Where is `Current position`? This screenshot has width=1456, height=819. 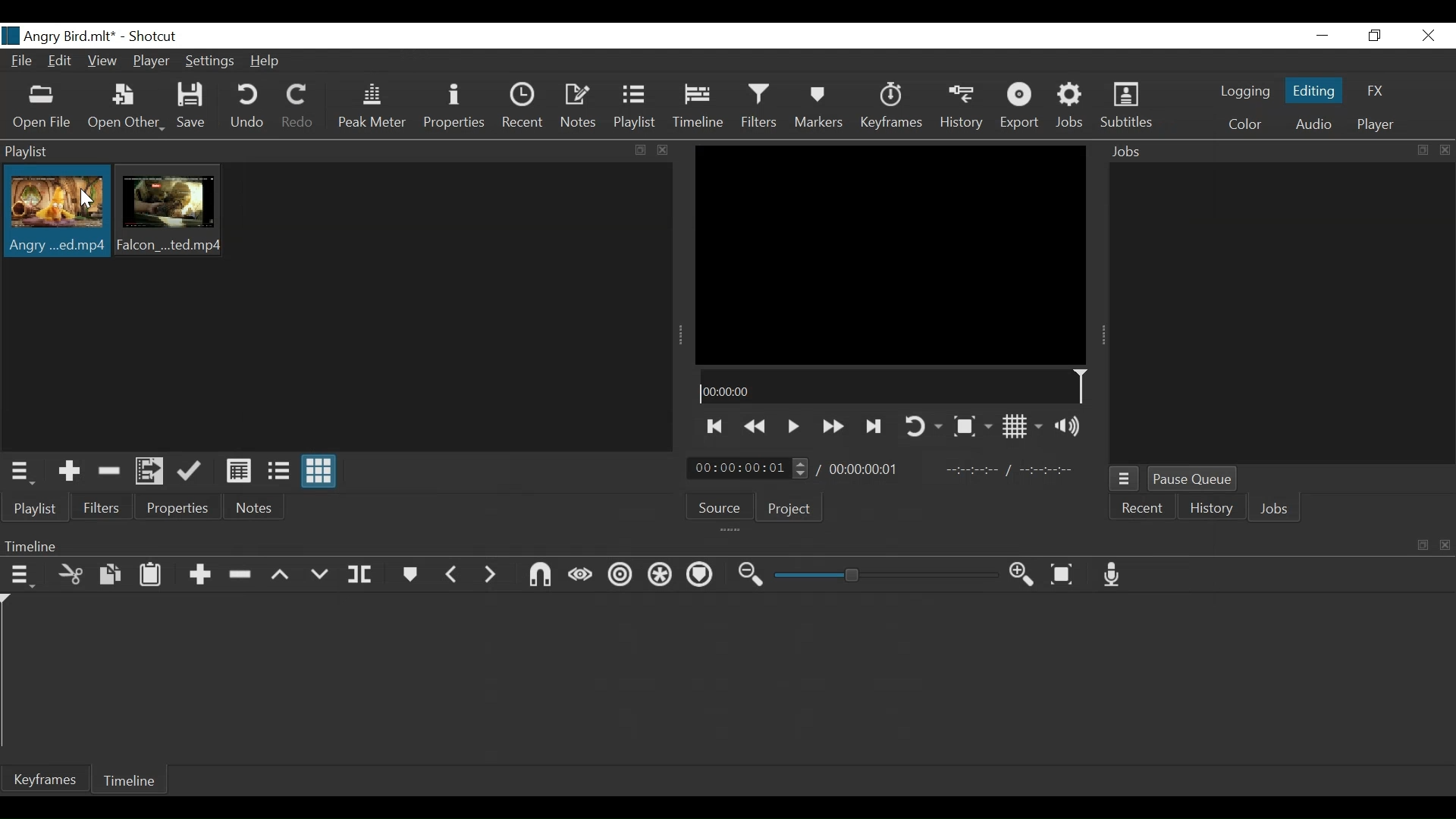 Current position is located at coordinates (750, 469).